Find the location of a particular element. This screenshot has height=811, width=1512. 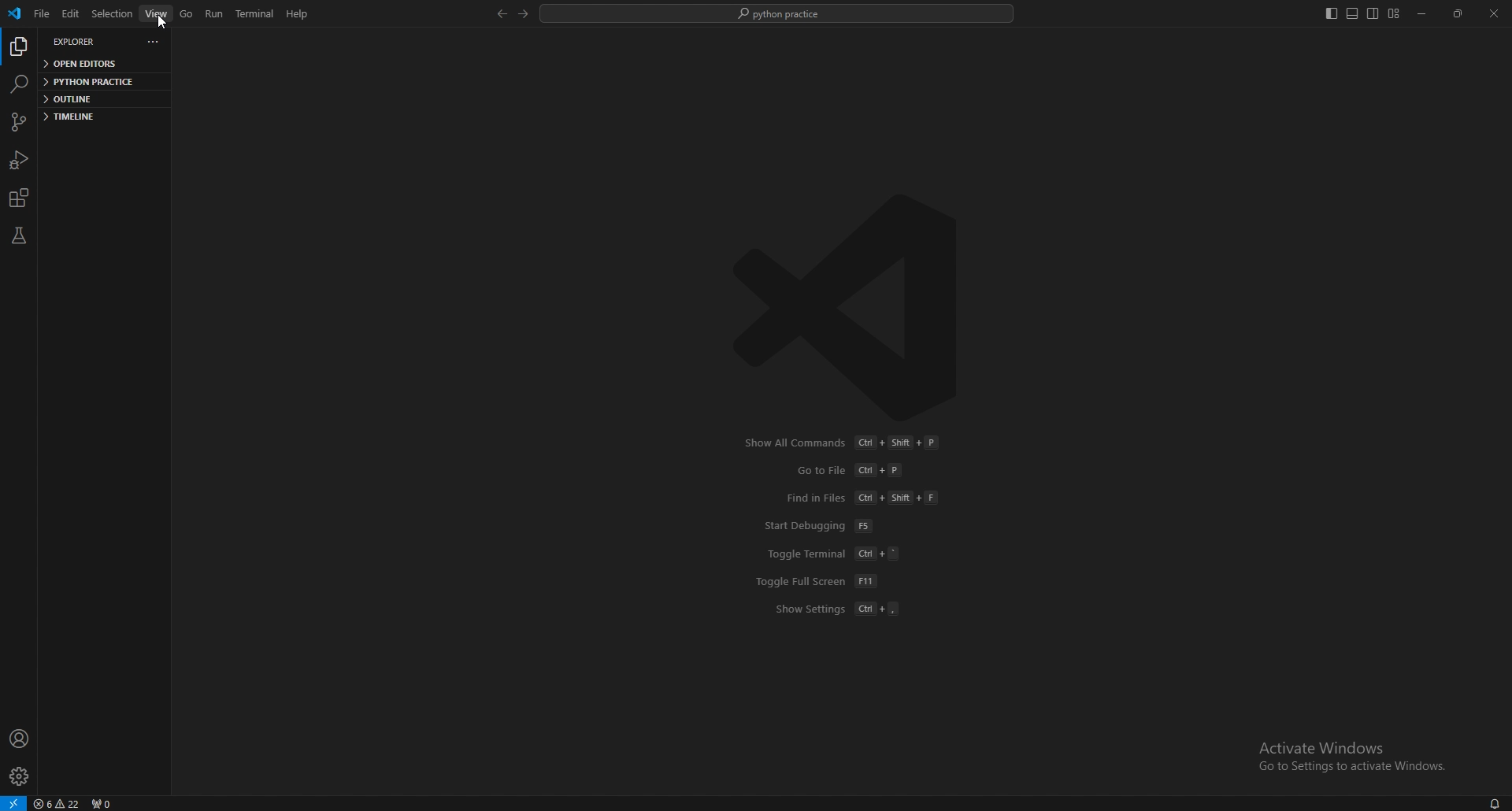

go is located at coordinates (186, 13).